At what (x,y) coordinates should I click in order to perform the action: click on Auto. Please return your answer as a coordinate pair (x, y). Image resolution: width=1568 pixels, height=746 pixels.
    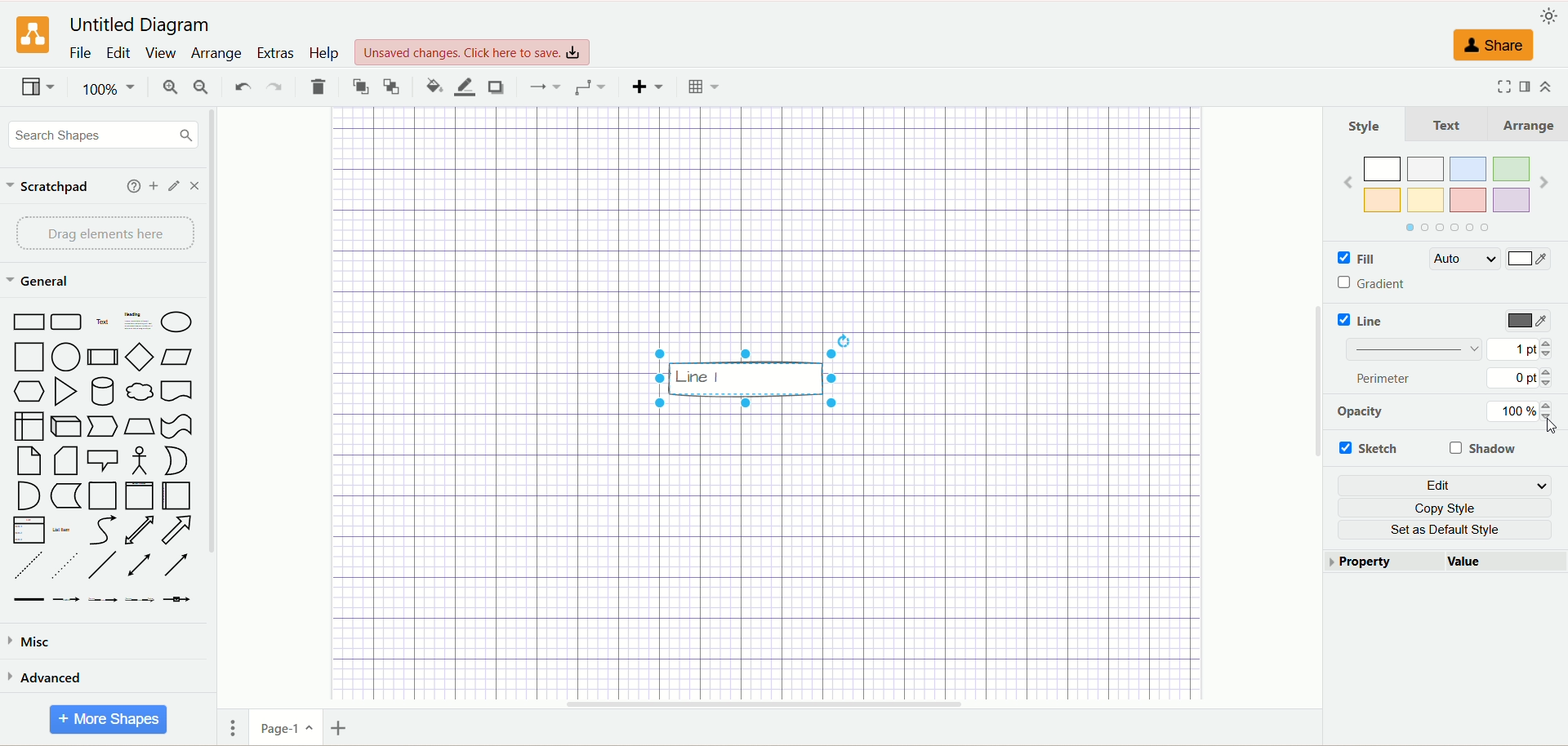
    Looking at the image, I should click on (1463, 260).